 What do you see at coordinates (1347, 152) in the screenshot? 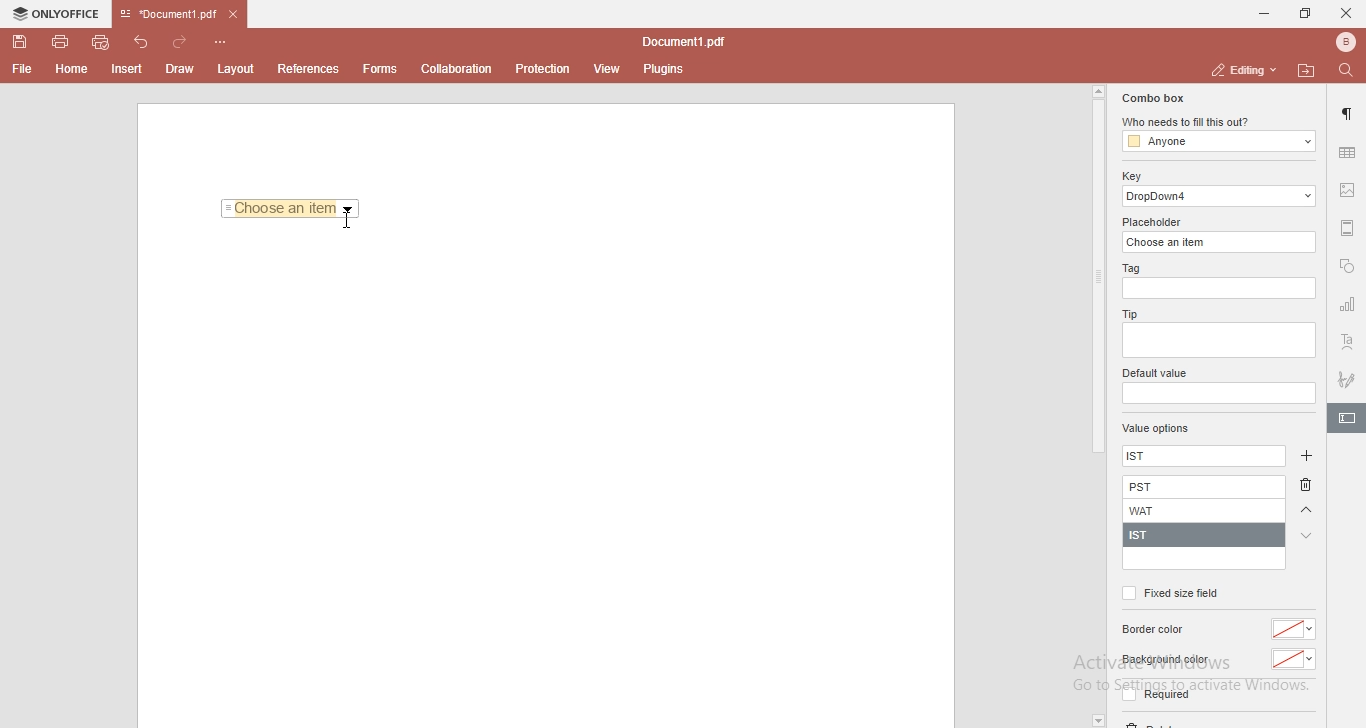
I see `table` at bounding box center [1347, 152].